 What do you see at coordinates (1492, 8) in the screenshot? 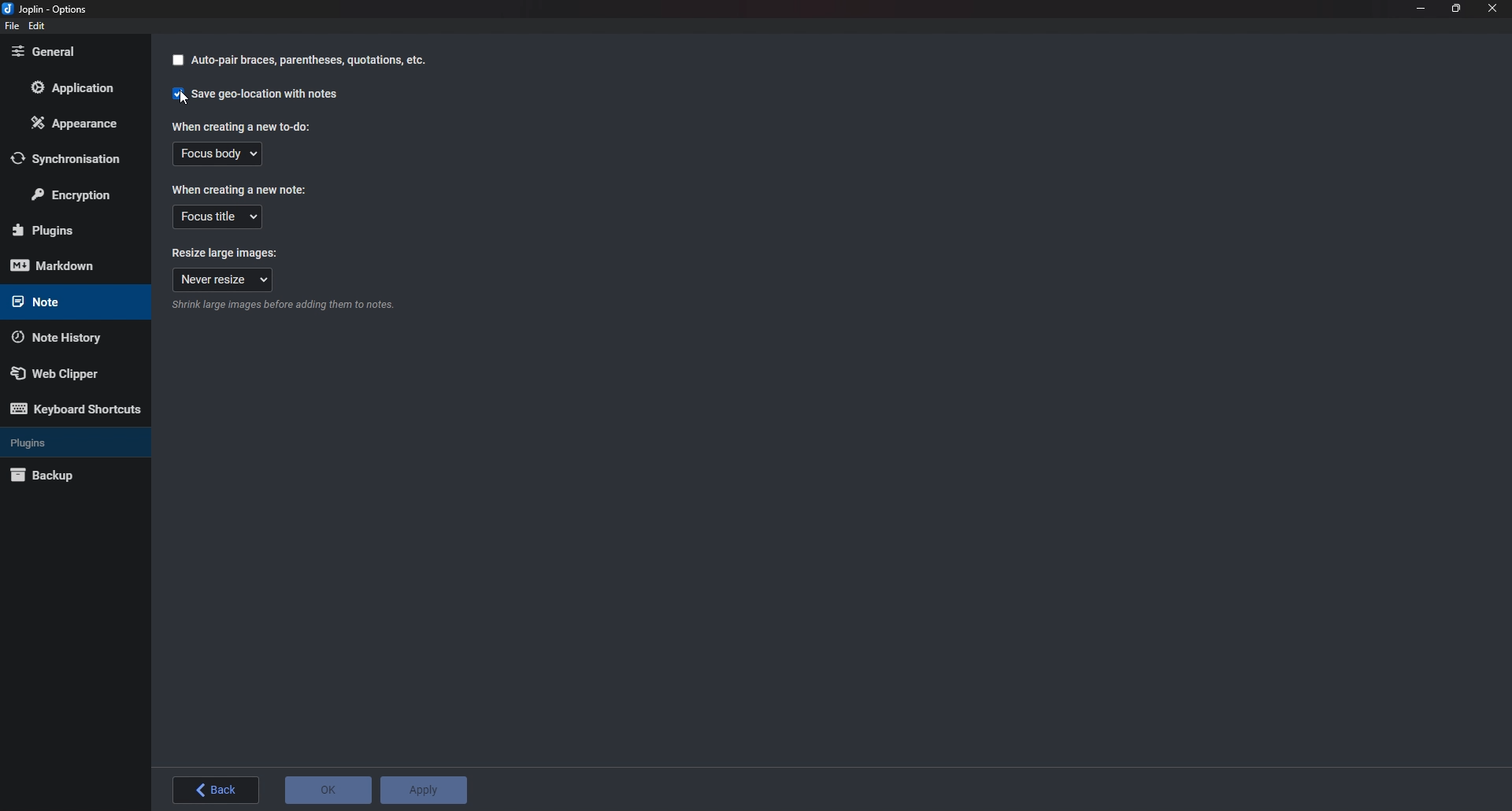
I see `close` at bounding box center [1492, 8].